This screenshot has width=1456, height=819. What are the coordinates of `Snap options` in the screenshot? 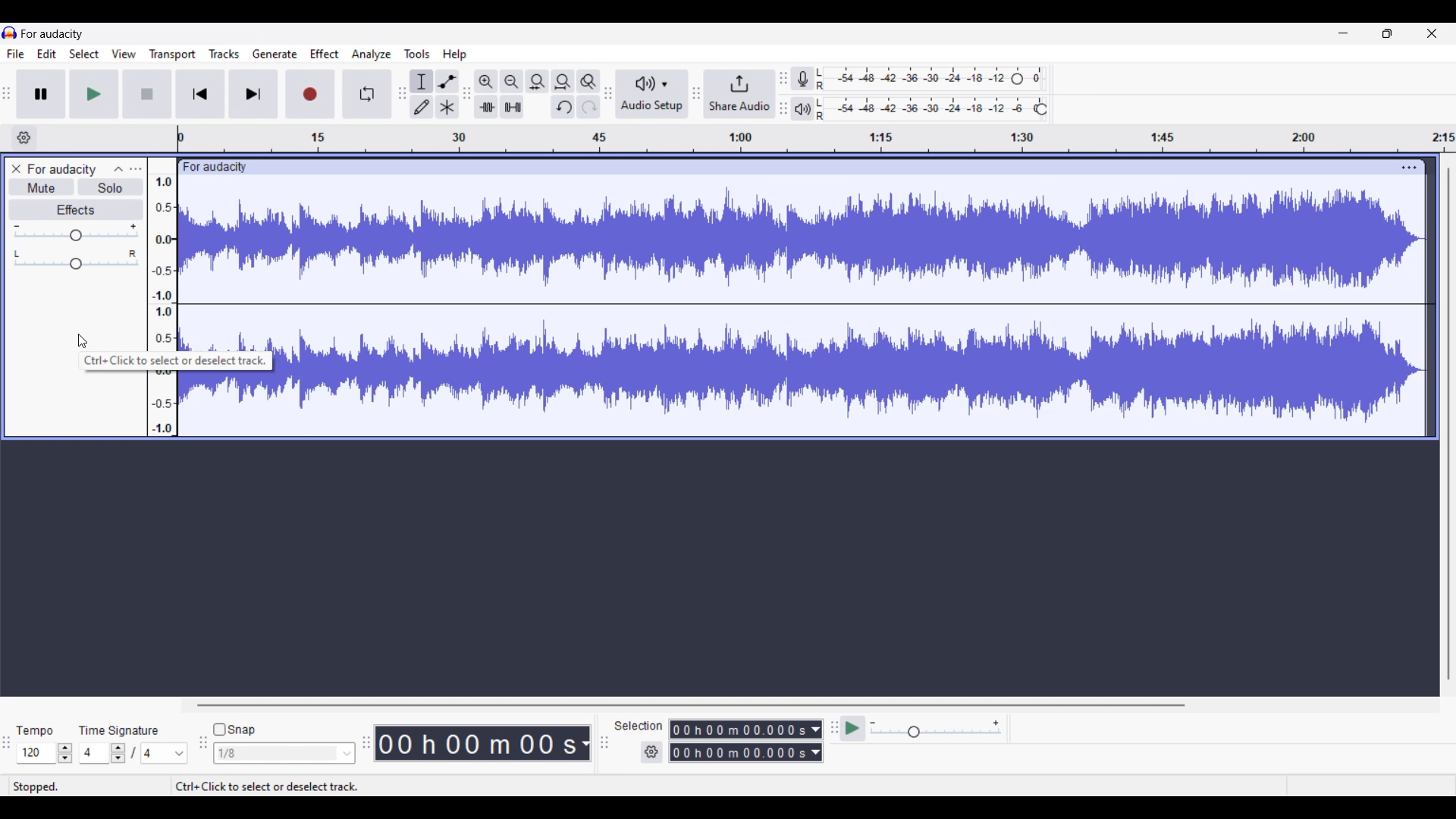 It's located at (284, 753).